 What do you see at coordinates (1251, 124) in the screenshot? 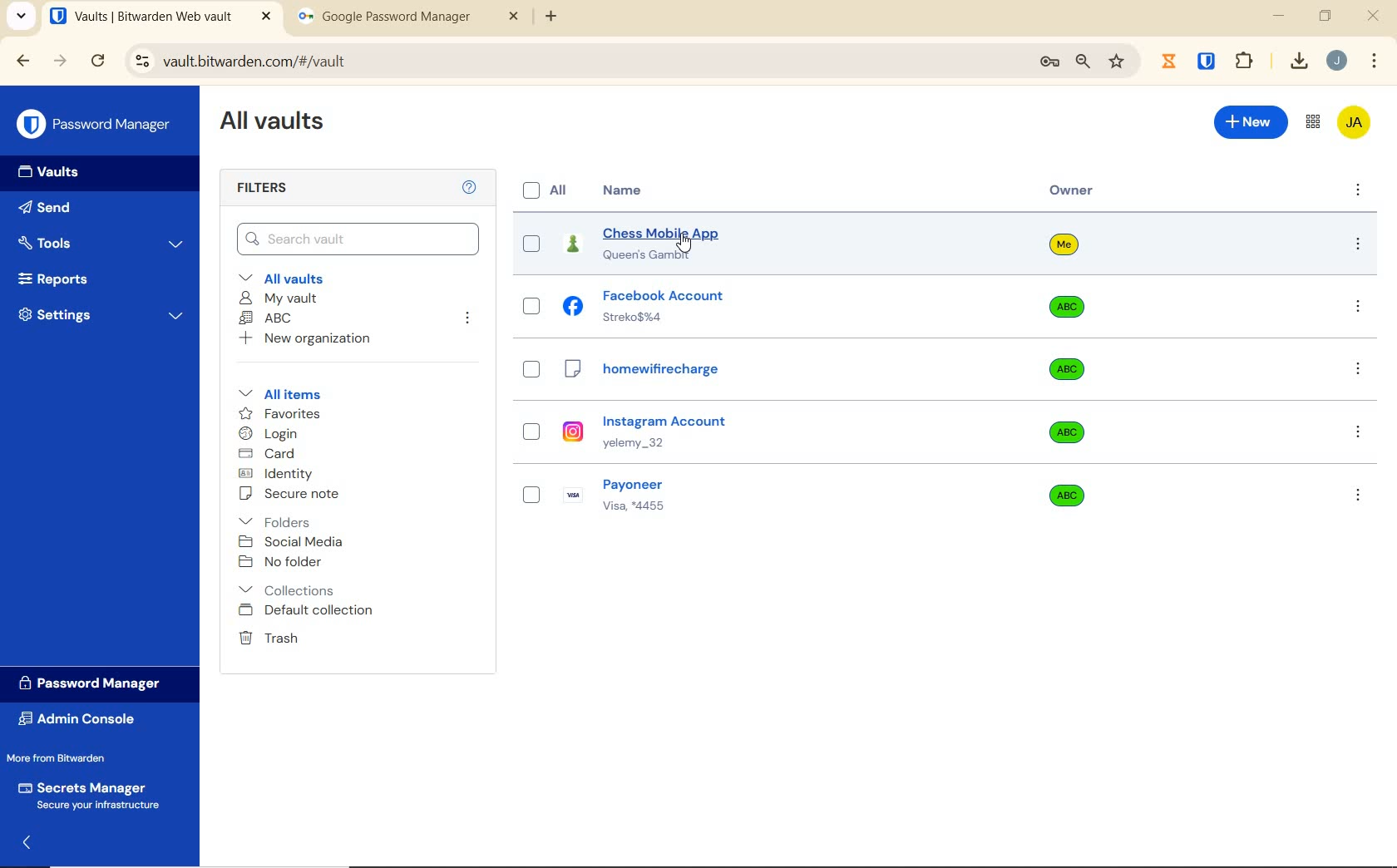
I see `New` at bounding box center [1251, 124].